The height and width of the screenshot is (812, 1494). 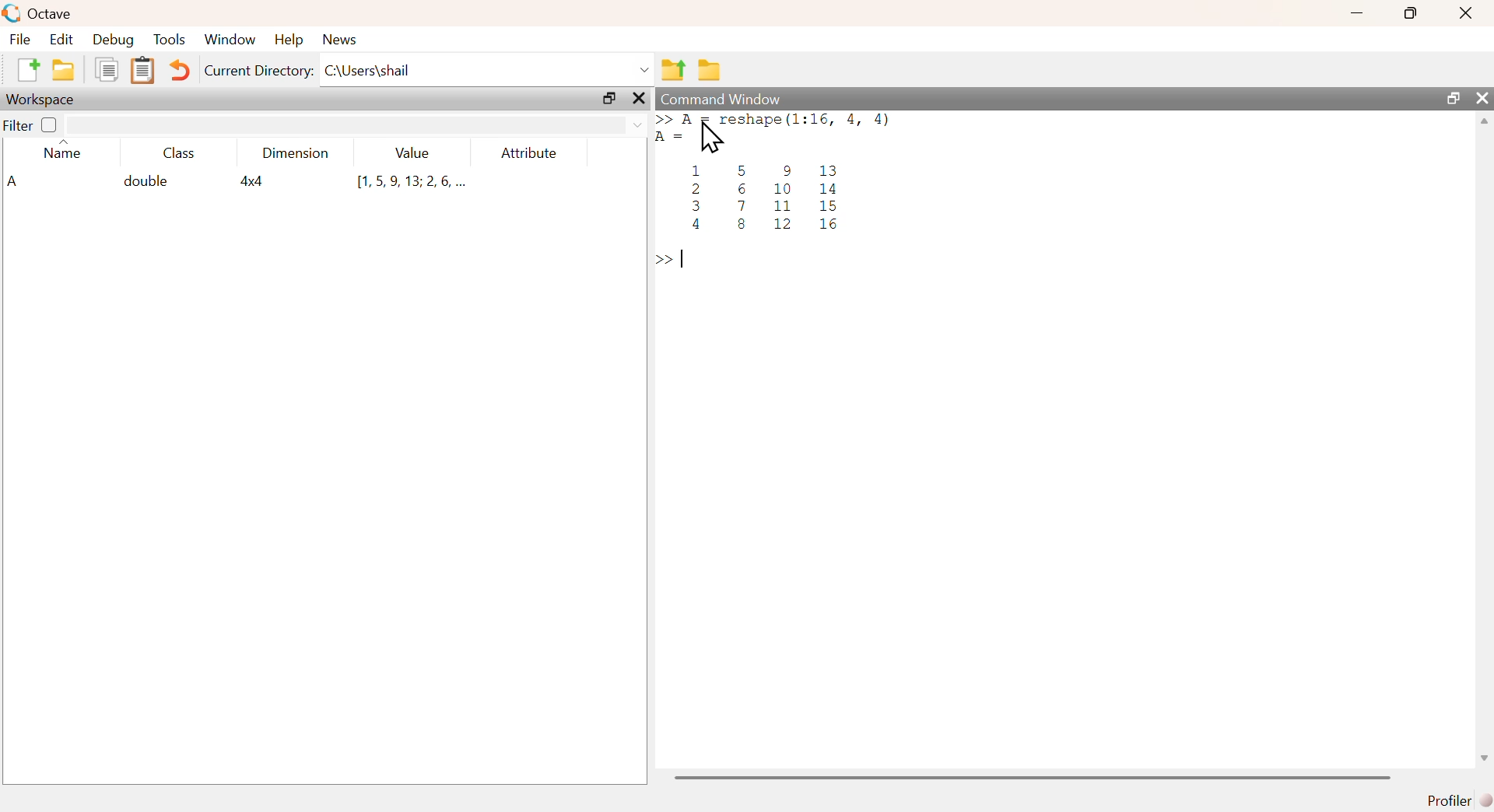 What do you see at coordinates (22, 40) in the screenshot?
I see `File` at bounding box center [22, 40].